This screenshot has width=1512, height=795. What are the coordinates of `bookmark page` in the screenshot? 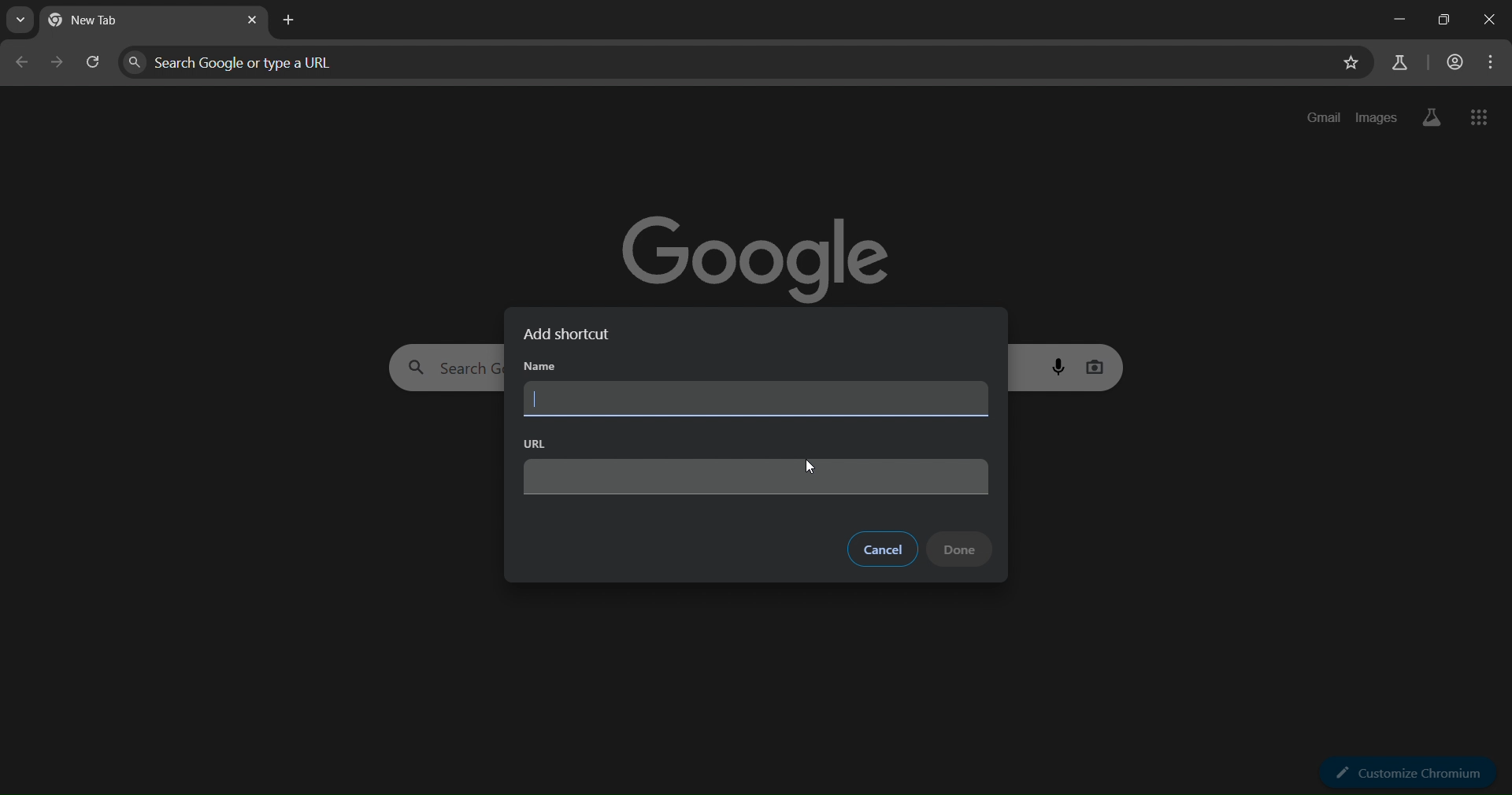 It's located at (1349, 65).